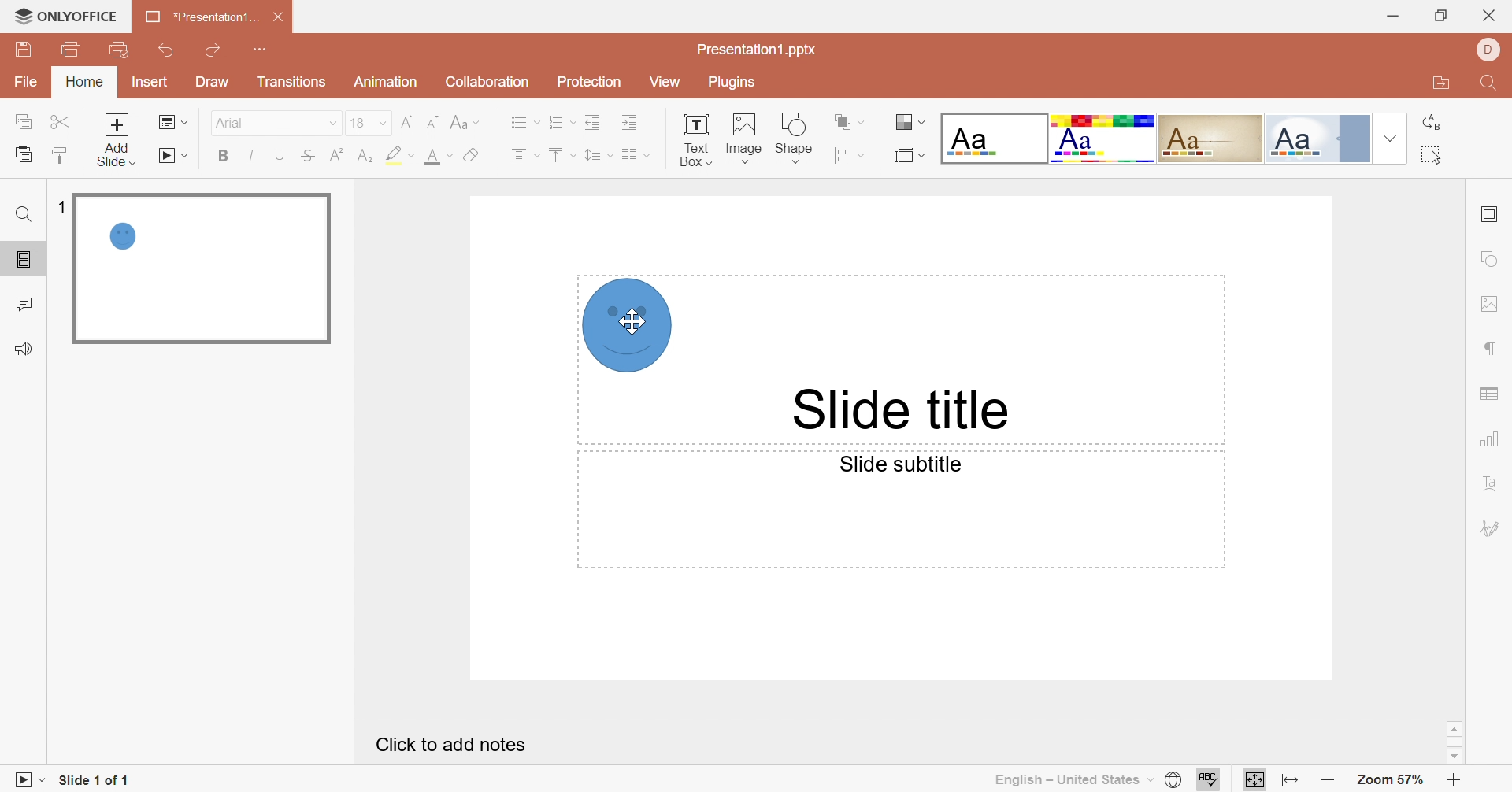 This screenshot has height=792, width=1512. I want to click on Find, so click(1487, 86).